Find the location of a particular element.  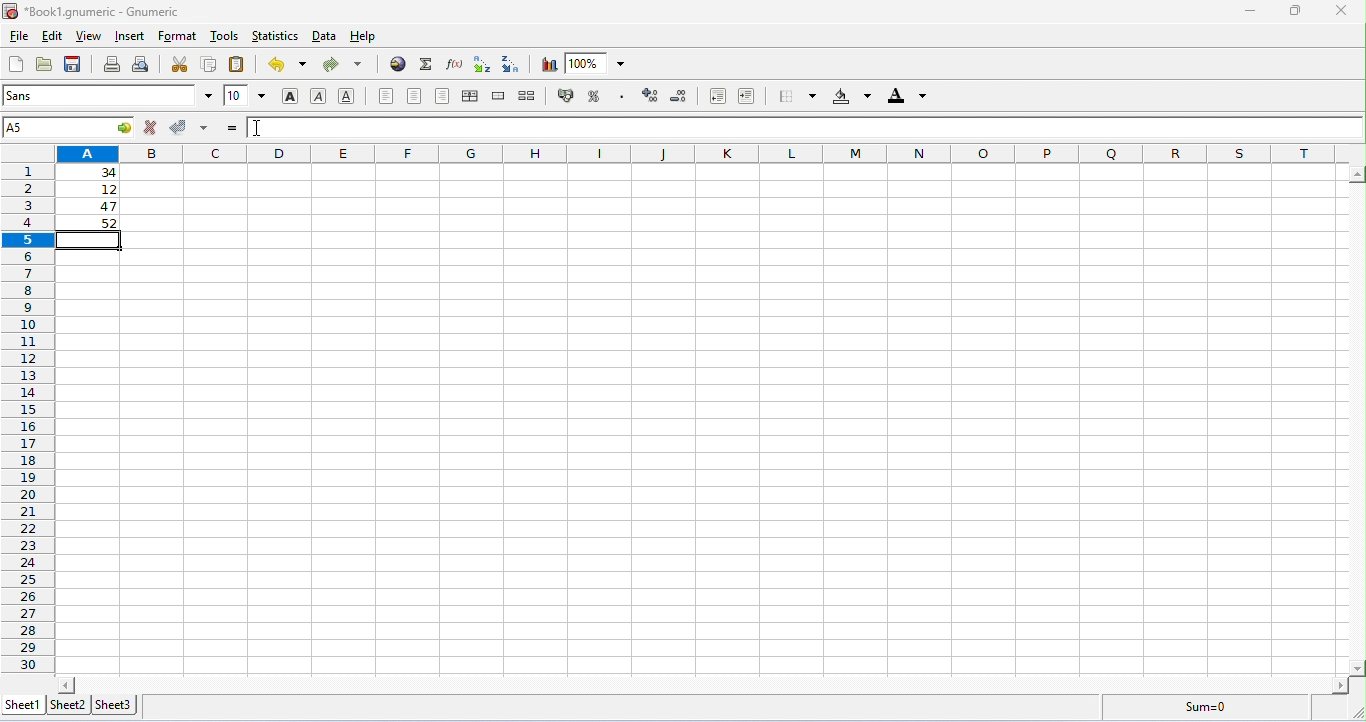

copy is located at coordinates (209, 63).